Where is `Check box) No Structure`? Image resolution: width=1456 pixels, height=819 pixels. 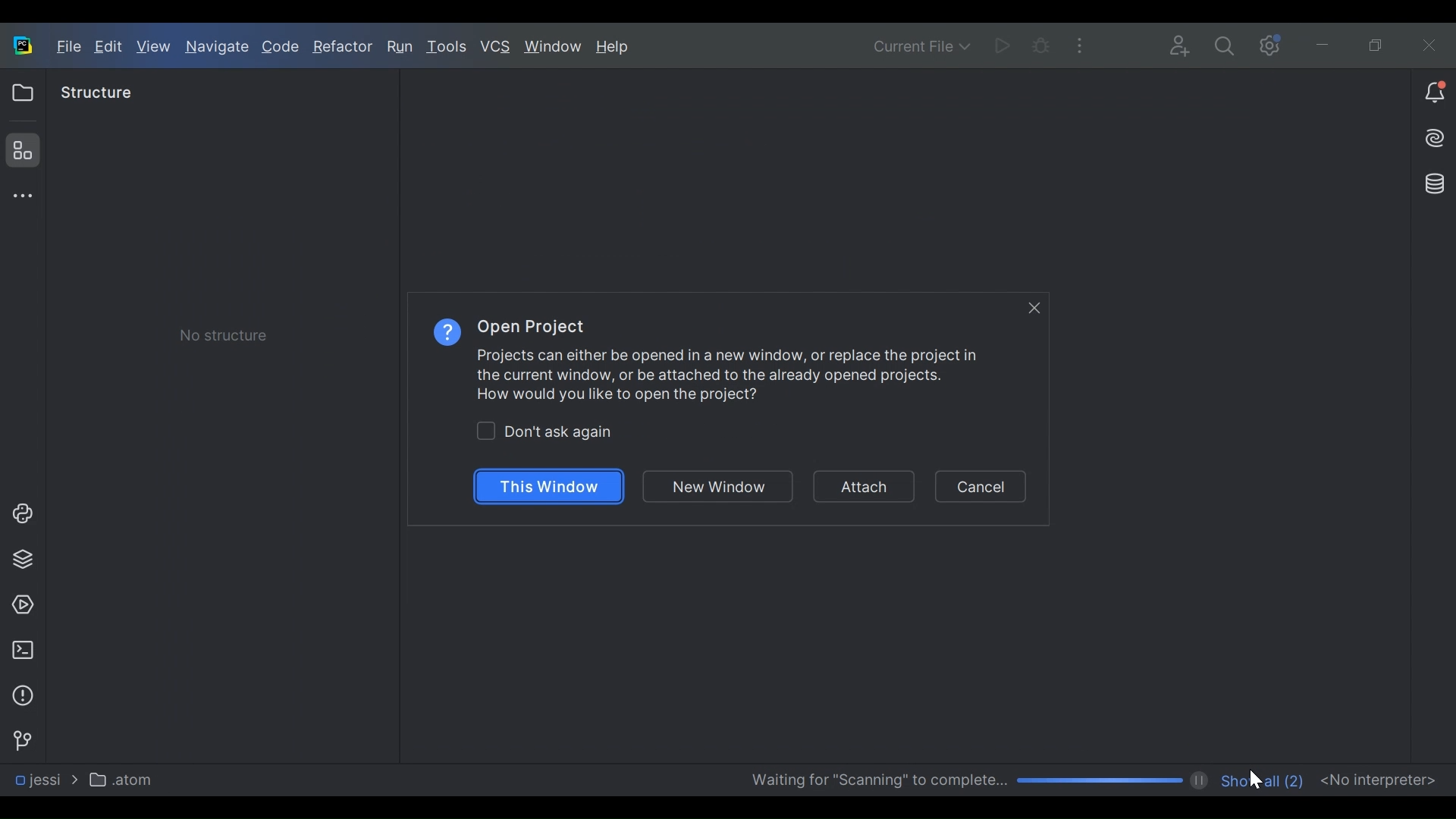 Check box) No Structure is located at coordinates (213, 334).